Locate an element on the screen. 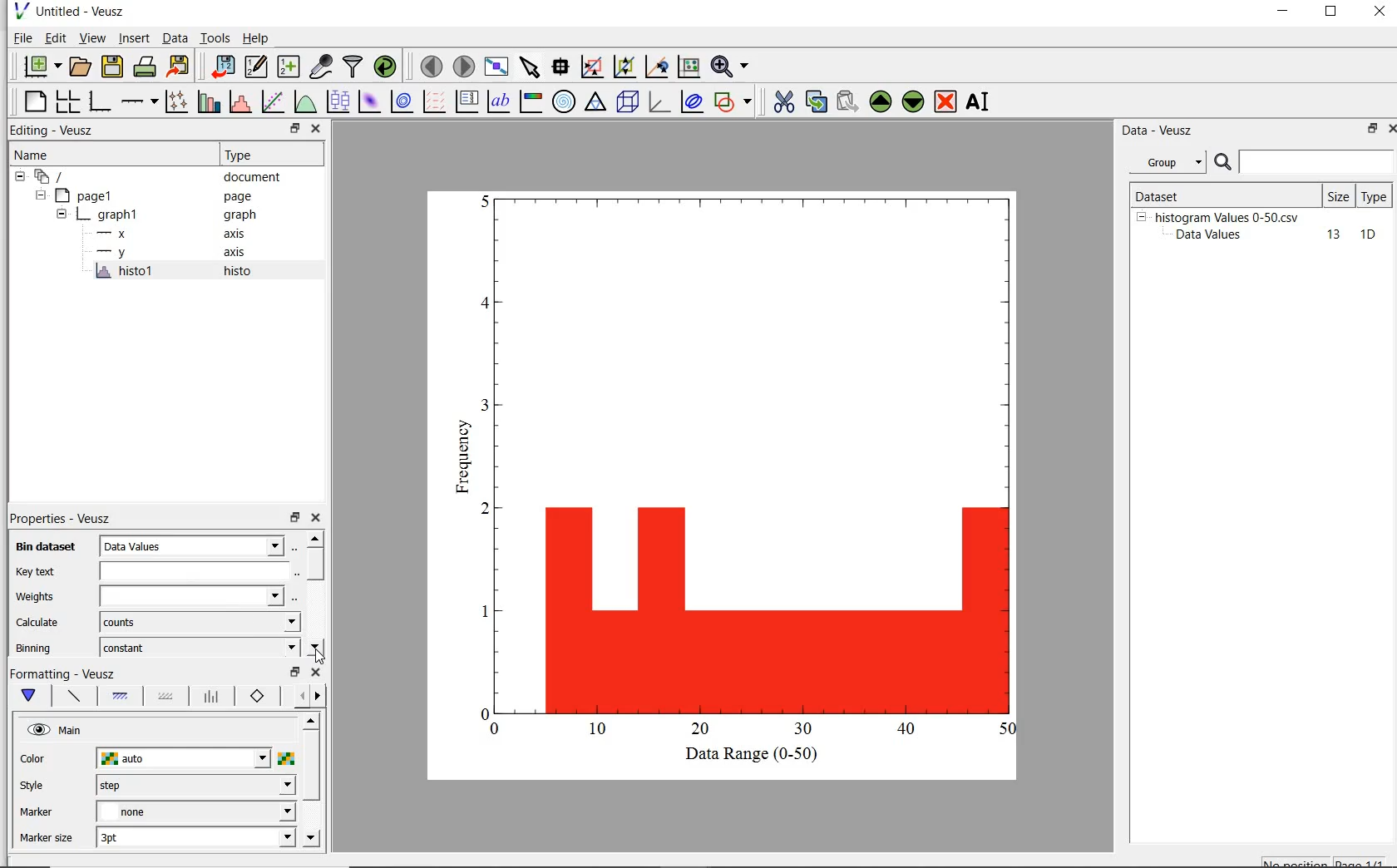 The height and width of the screenshot is (868, 1397). view is located at coordinates (95, 37).